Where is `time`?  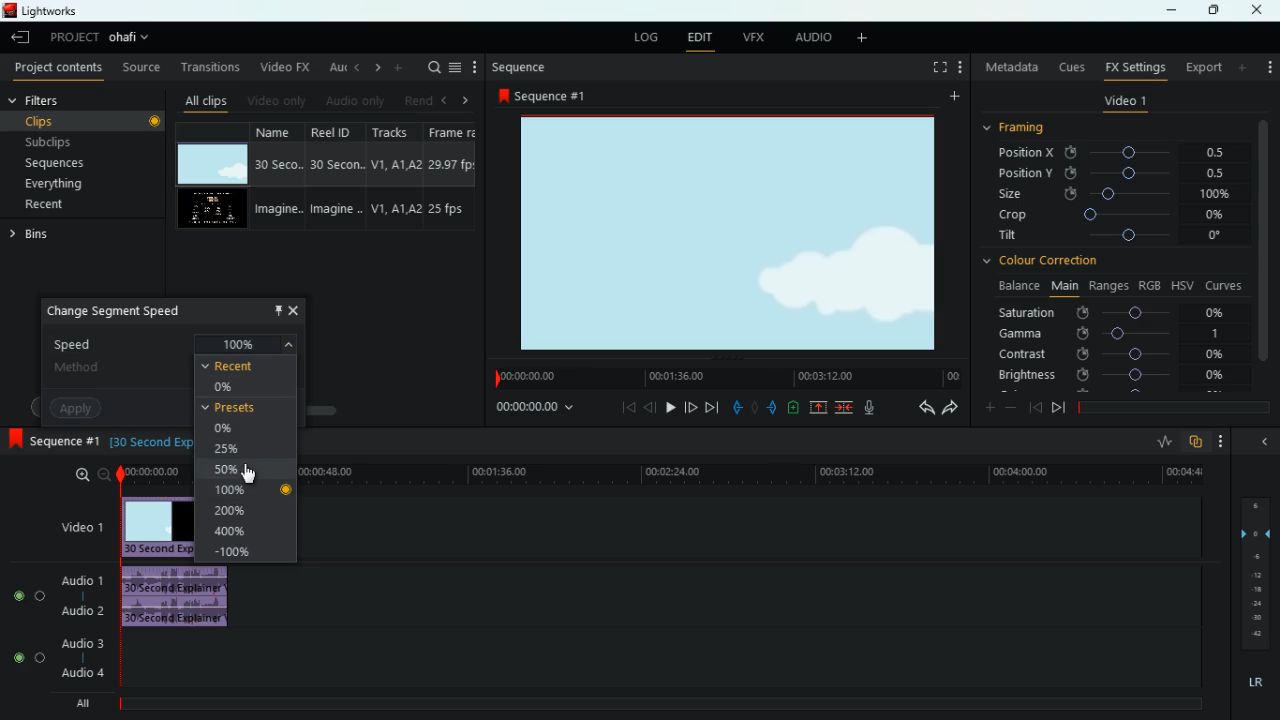
time is located at coordinates (758, 474).